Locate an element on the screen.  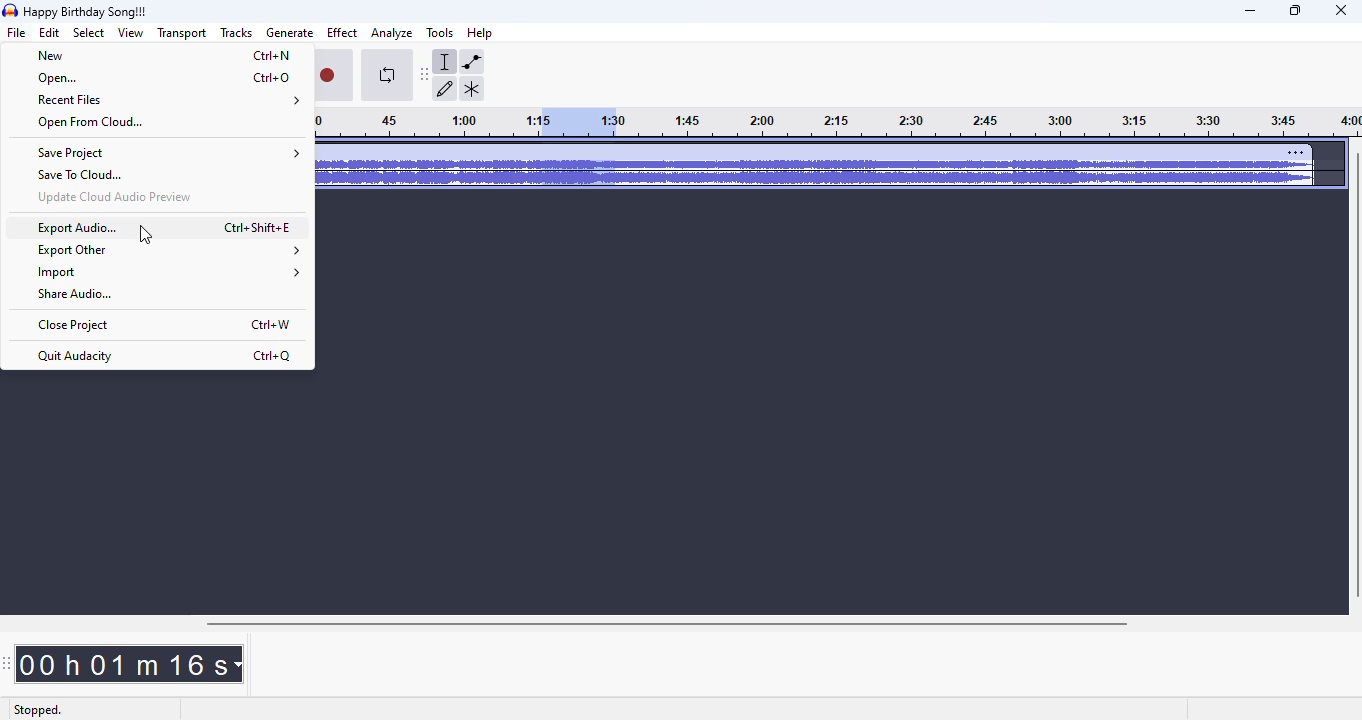
quit audacity is located at coordinates (75, 357).